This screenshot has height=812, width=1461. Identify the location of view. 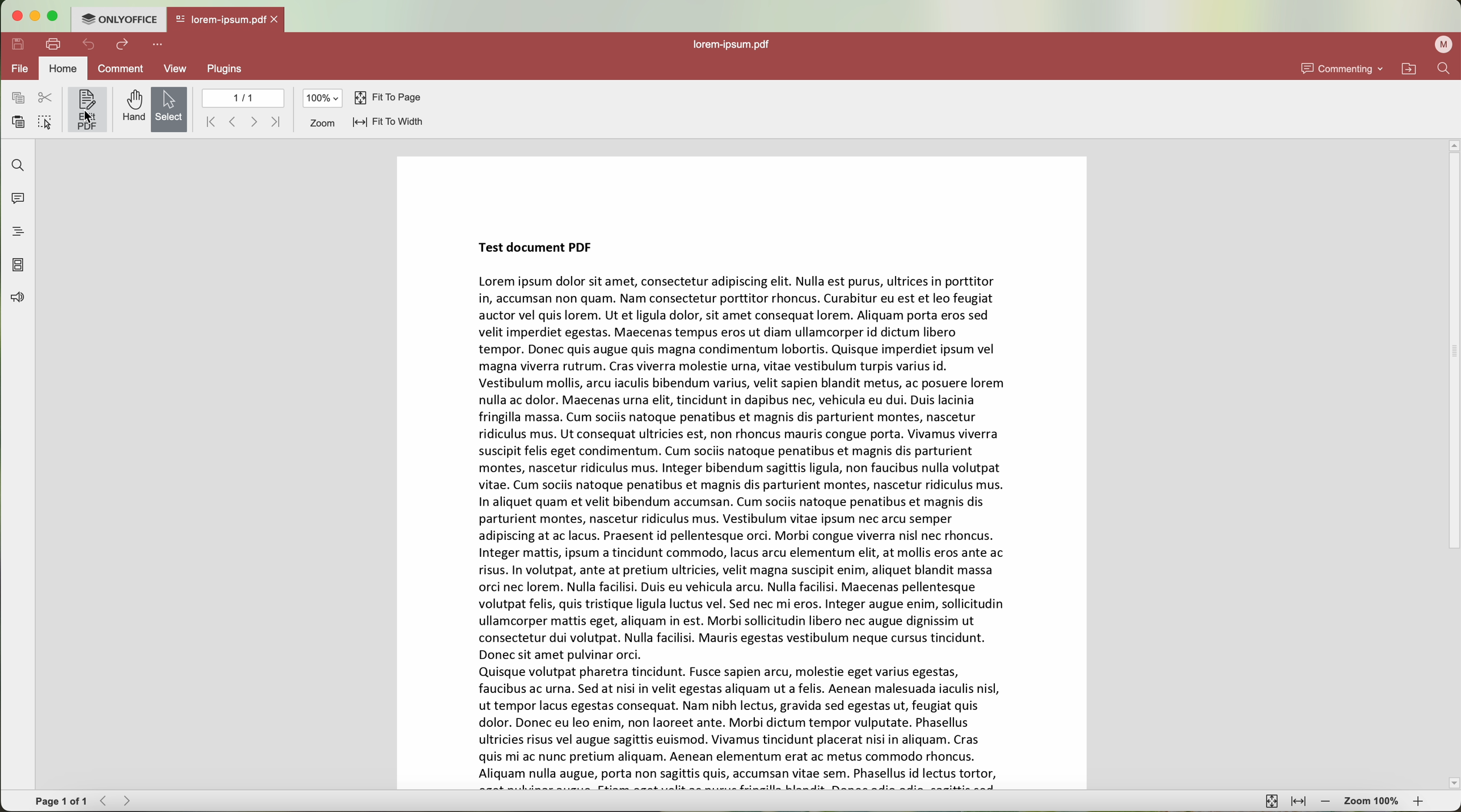
(175, 68).